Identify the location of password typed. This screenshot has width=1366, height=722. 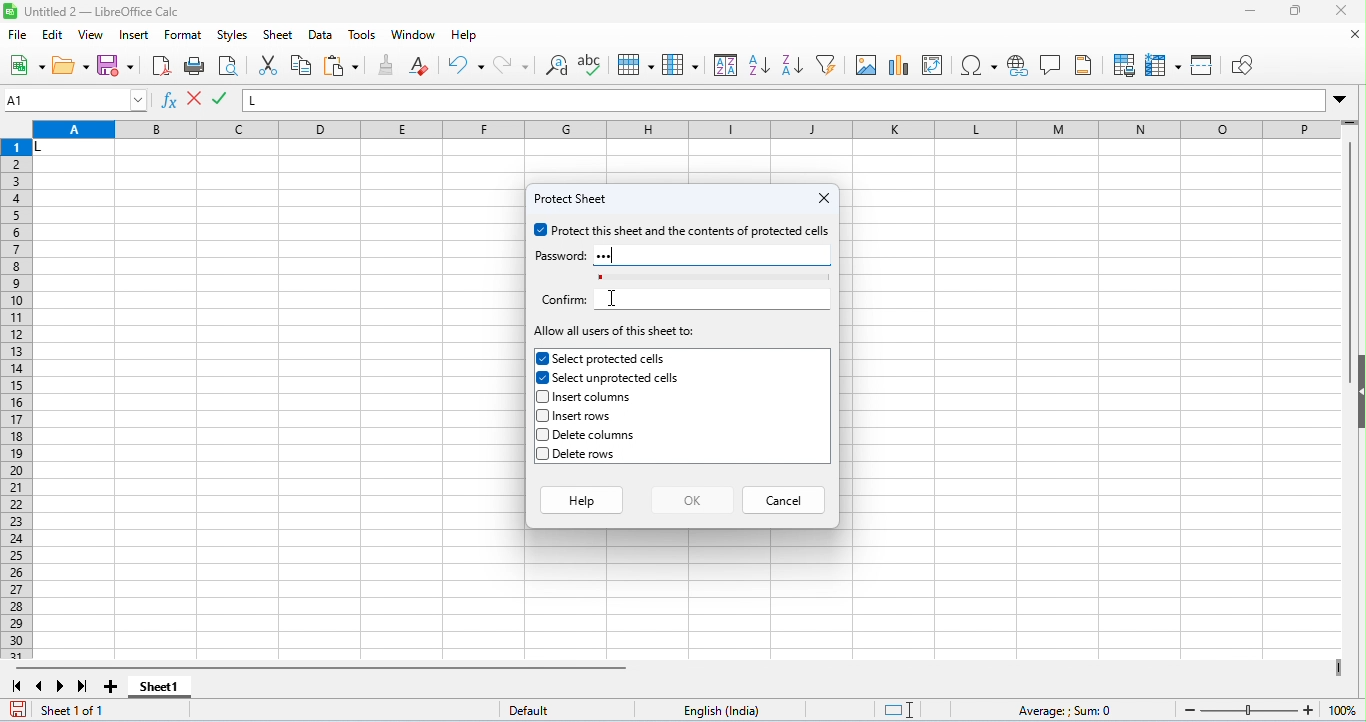
(612, 256).